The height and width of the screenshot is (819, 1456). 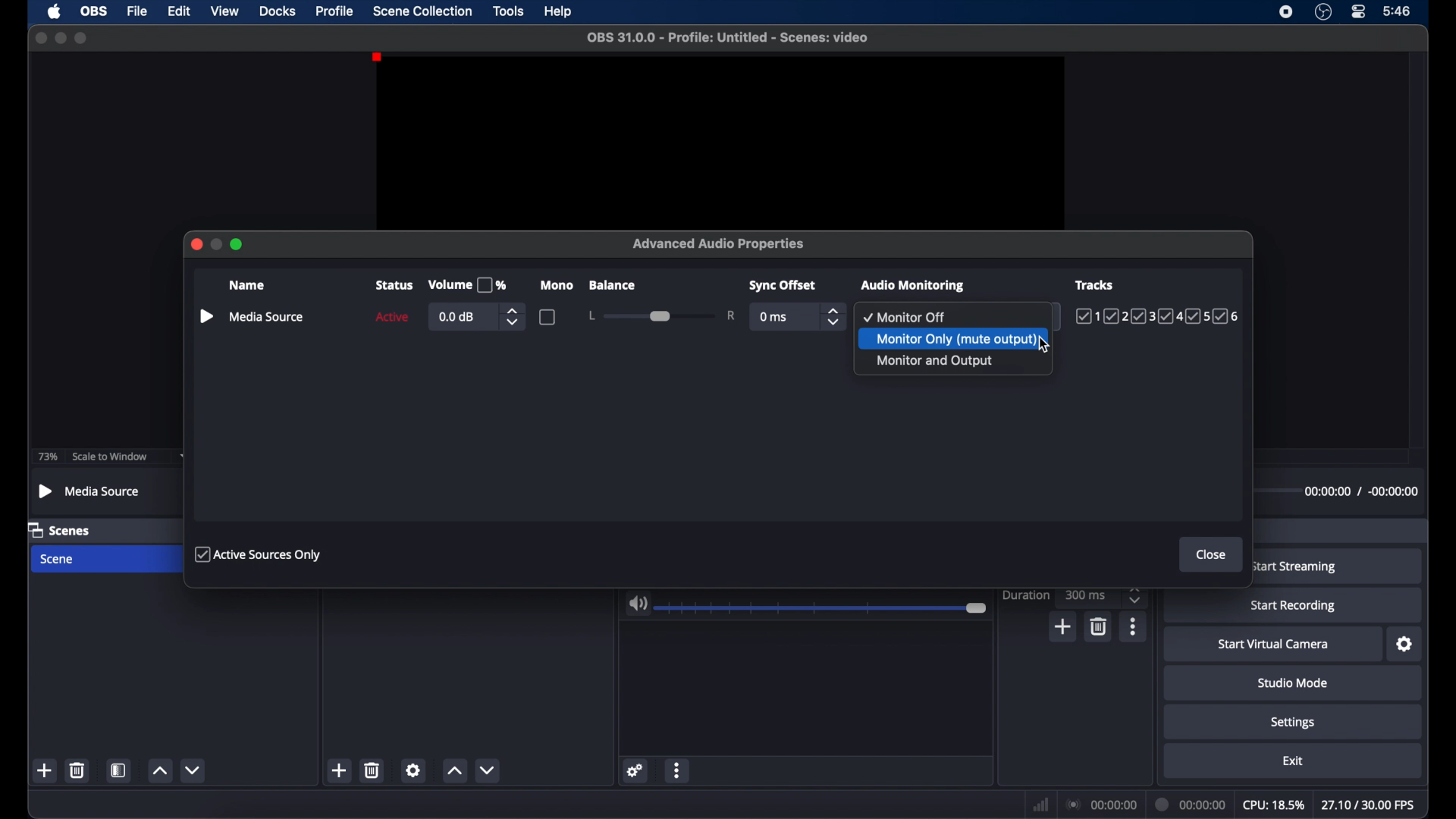 What do you see at coordinates (278, 11) in the screenshot?
I see `docks` at bounding box center [278, 11].